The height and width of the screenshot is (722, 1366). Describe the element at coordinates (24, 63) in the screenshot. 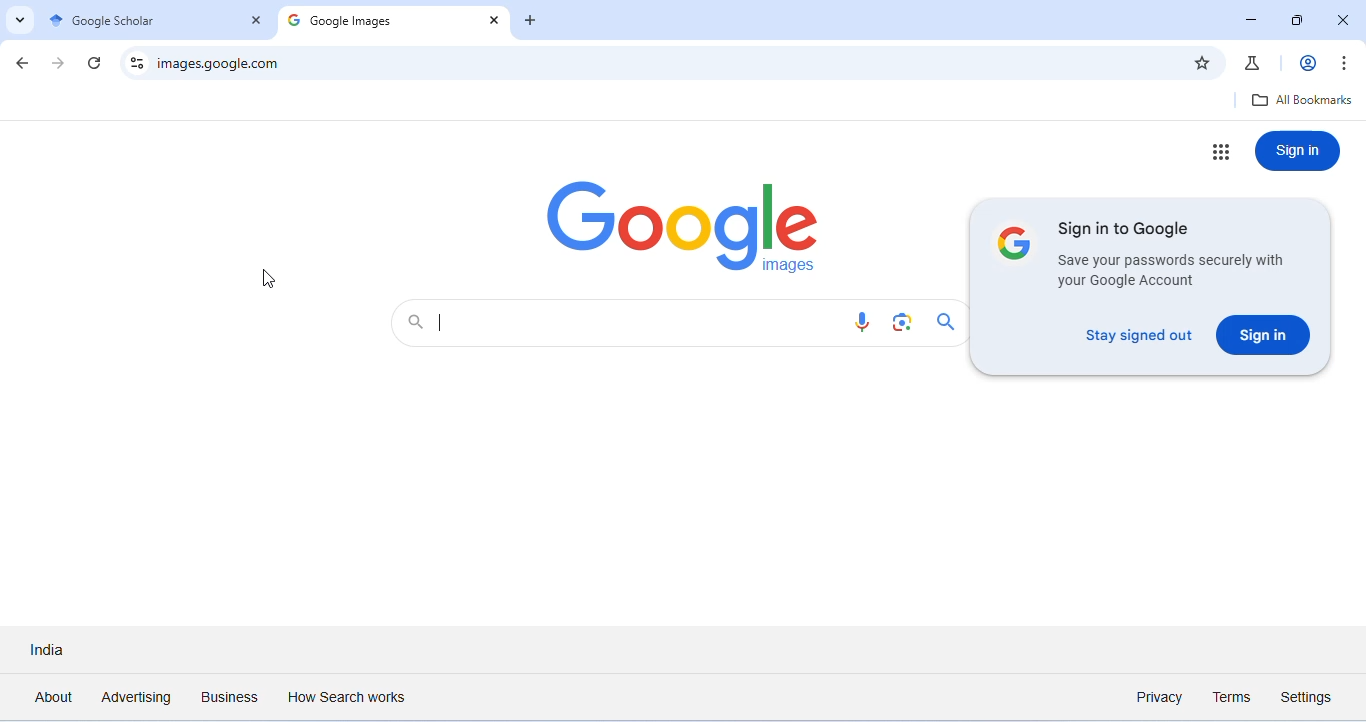

I see `color change in go back` at that location.